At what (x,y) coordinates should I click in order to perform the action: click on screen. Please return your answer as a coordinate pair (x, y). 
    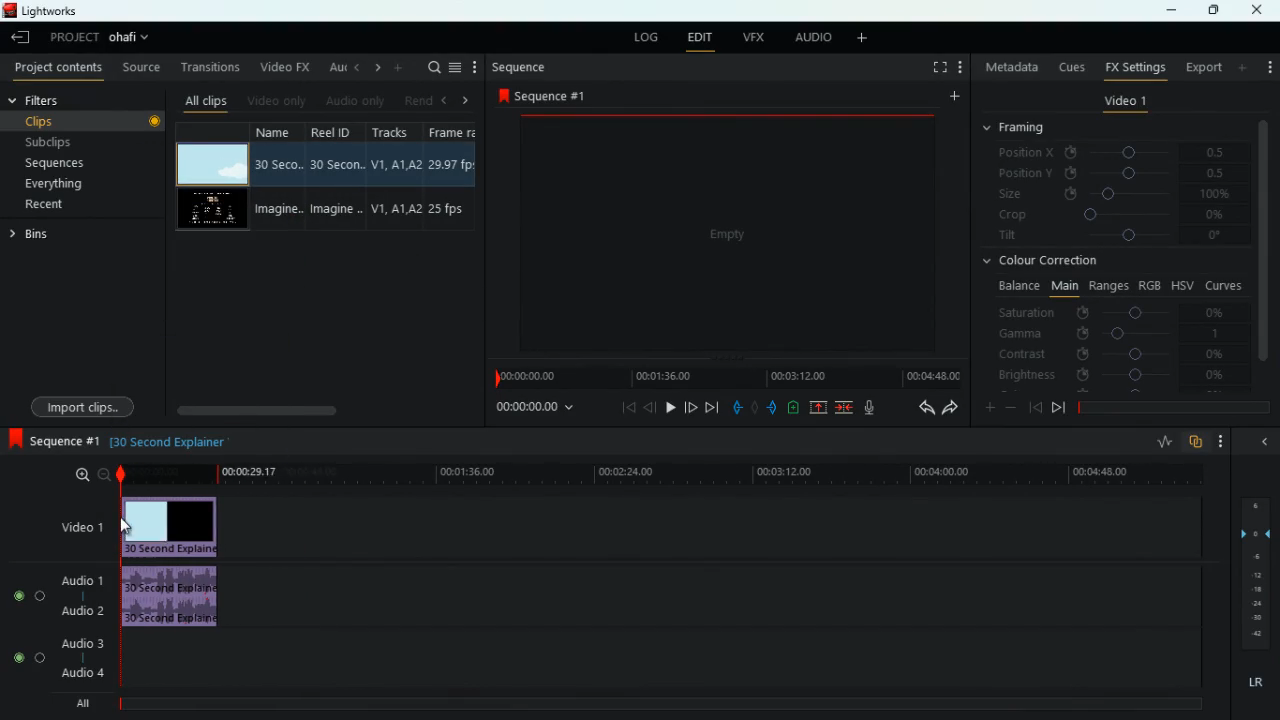
    Looking at the image, I should click on (730, 235).